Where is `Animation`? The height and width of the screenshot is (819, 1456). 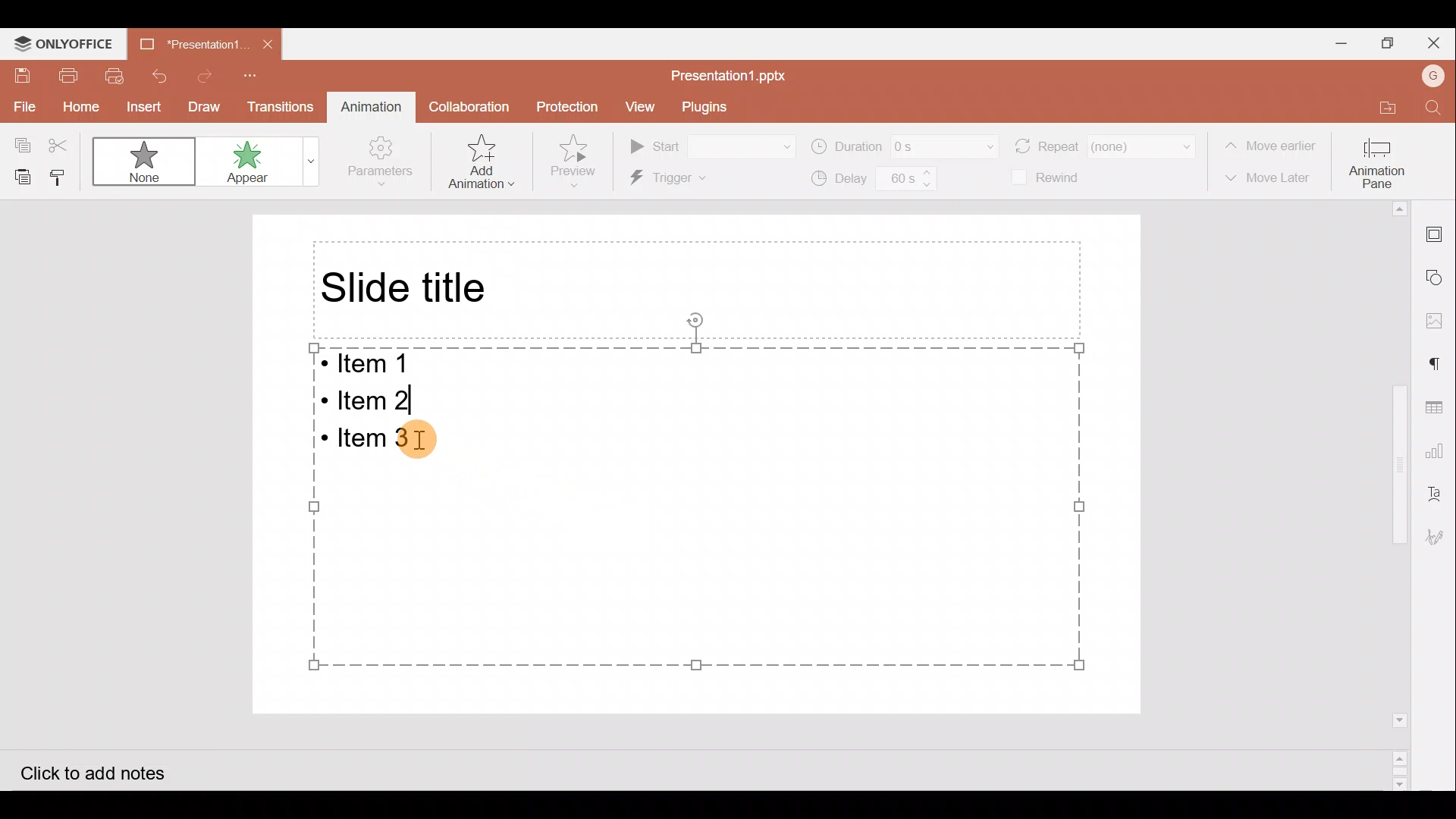
Animation is located at coordinates (369, 104).